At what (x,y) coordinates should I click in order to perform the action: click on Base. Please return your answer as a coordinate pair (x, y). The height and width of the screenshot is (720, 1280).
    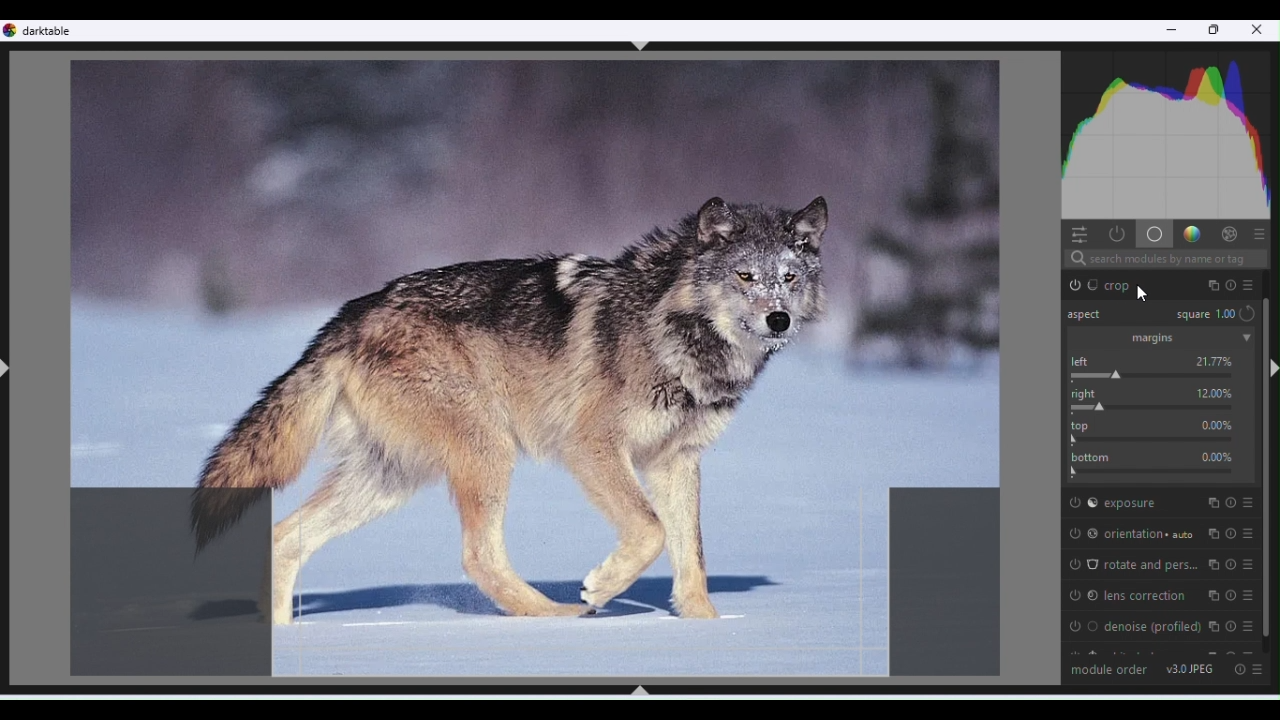
    Looking at the image, I should click on (1153, 233).